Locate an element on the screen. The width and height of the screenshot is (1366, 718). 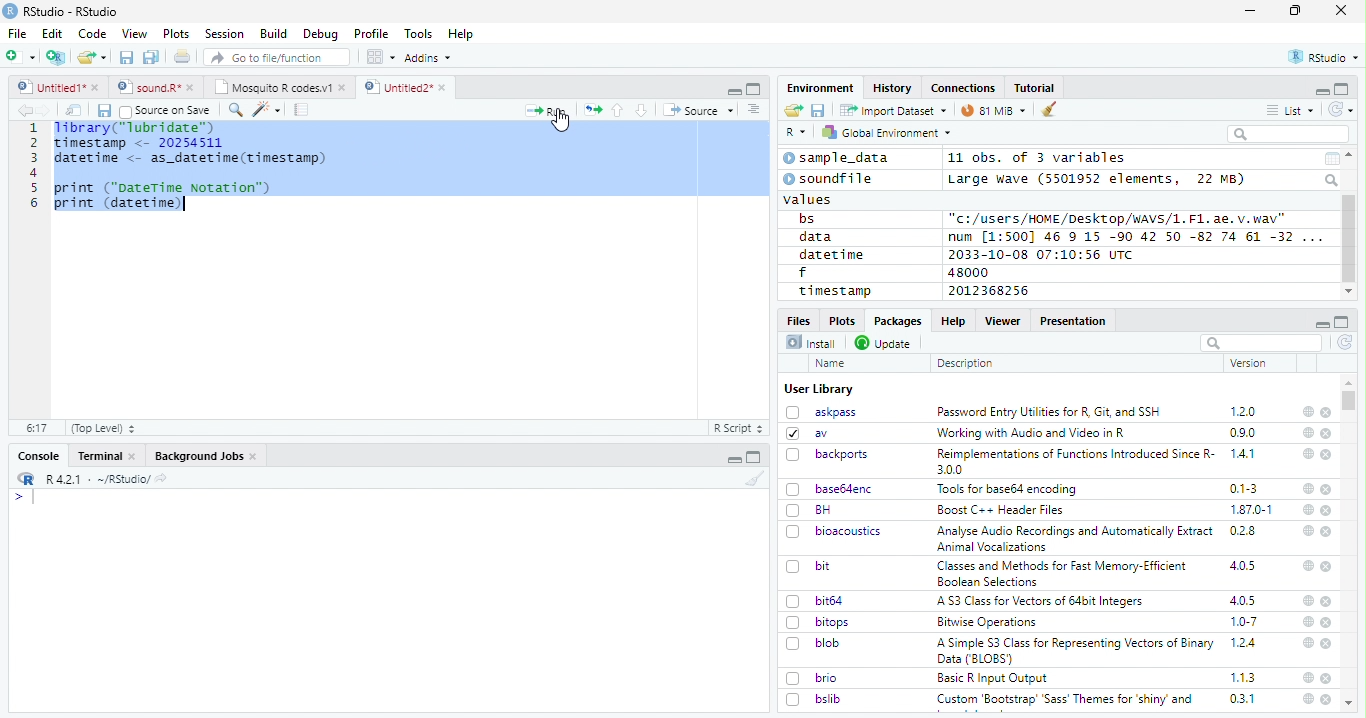
Plots is located at coordinates (176, 34).